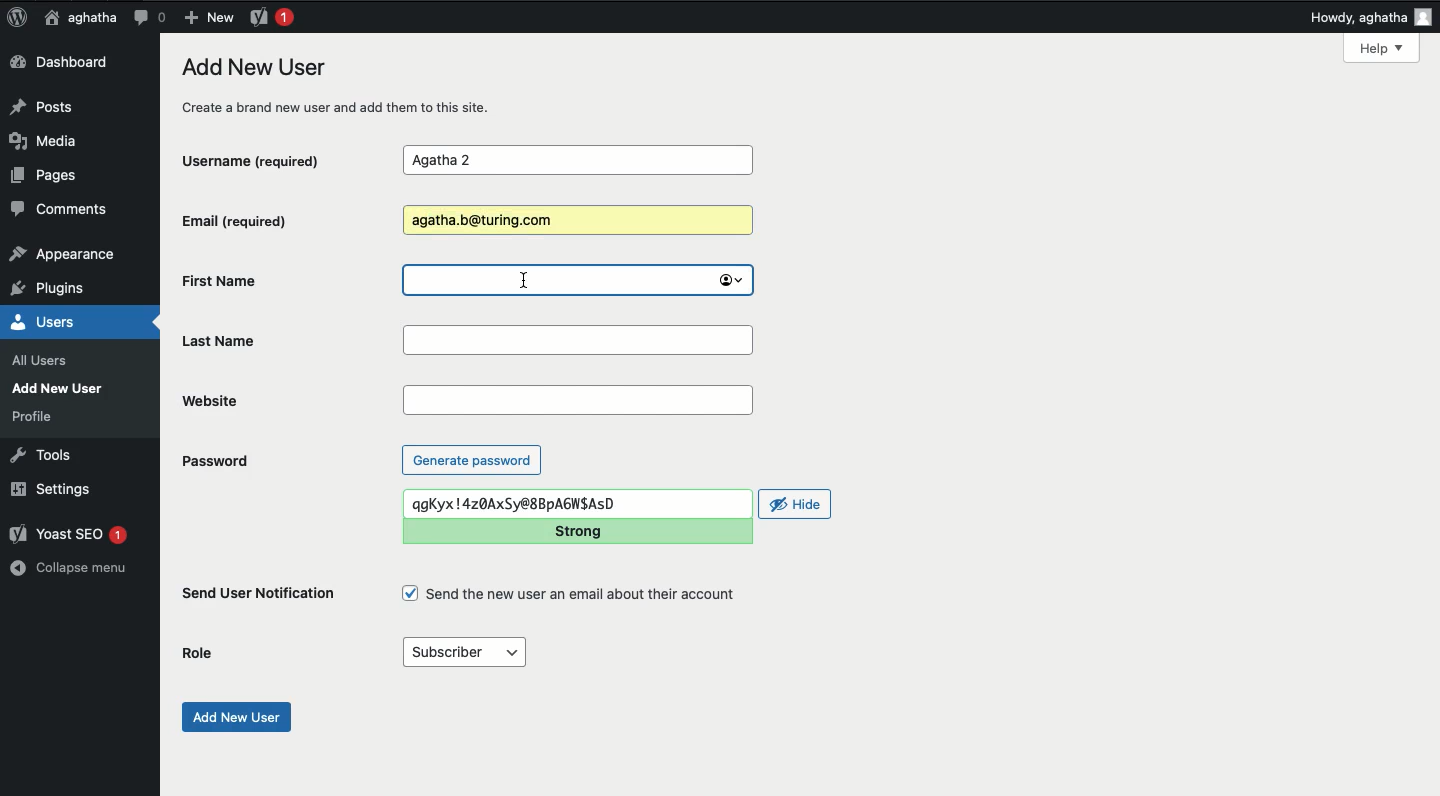  Describe the element at coordinates (214, 461) in the screenshot. I see `Password` at that location.